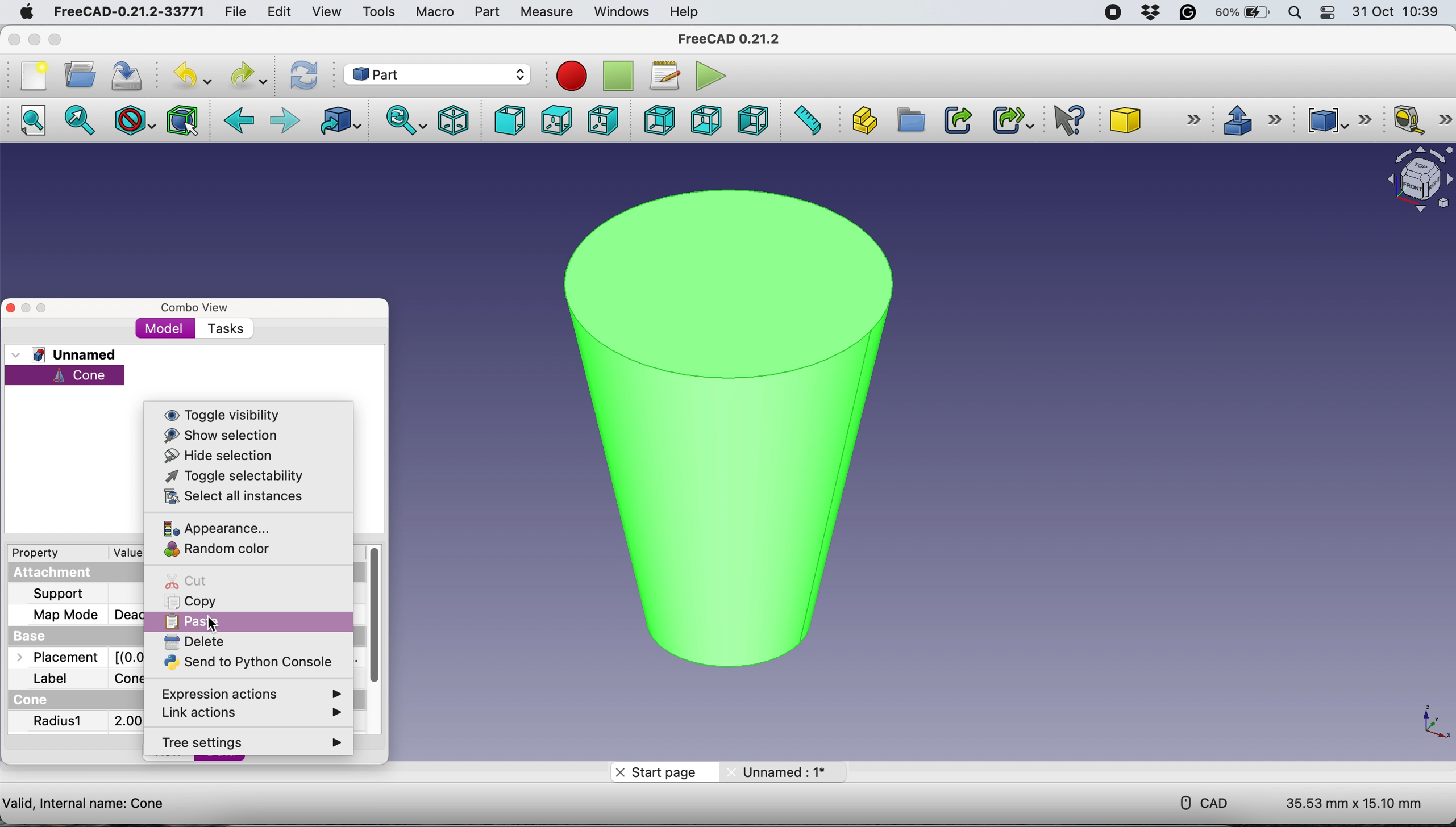  I want to click on show selection, so click(226, 435).